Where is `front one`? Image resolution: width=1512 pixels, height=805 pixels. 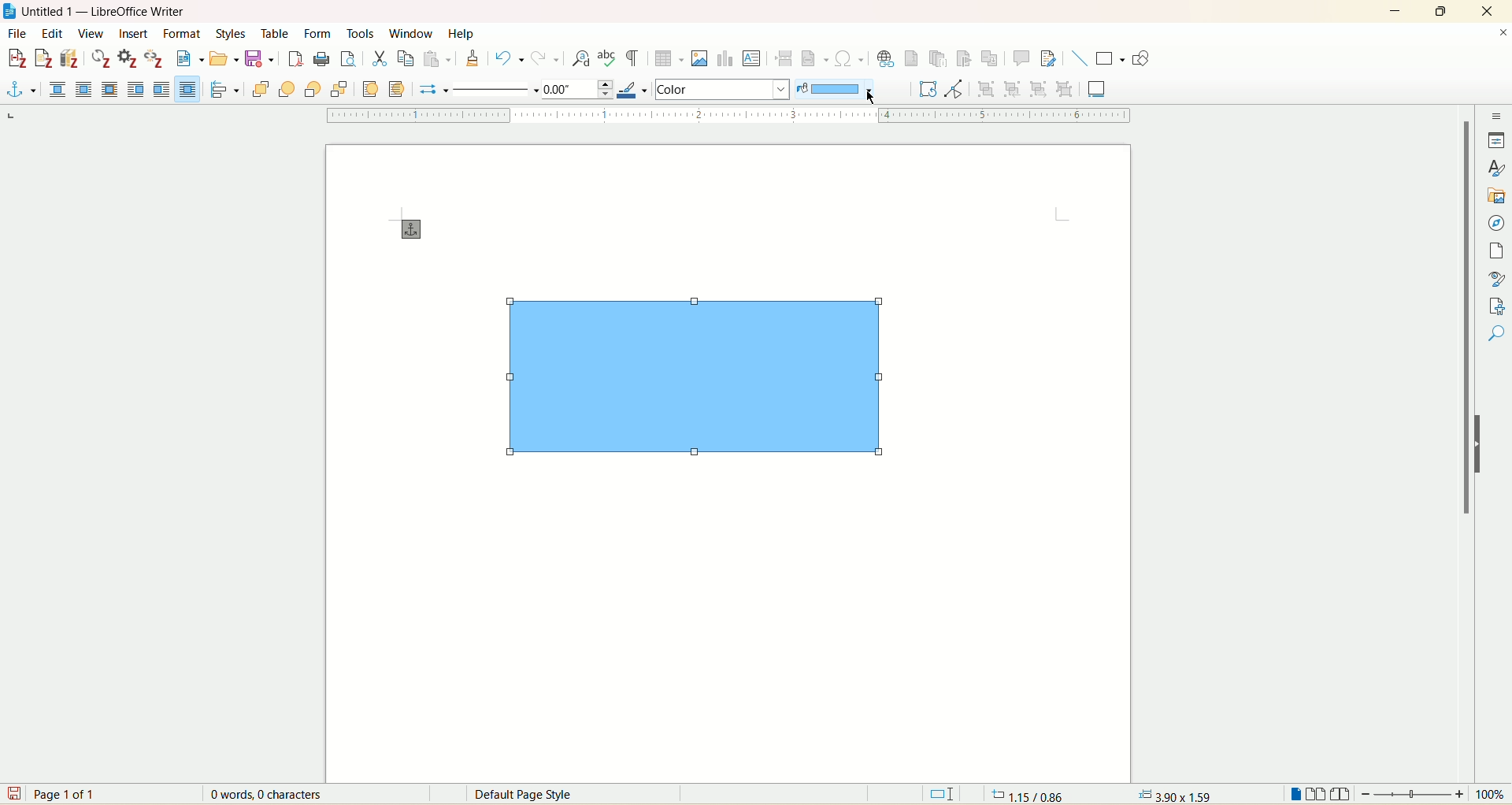
front one is located at coordinates (289, 89).